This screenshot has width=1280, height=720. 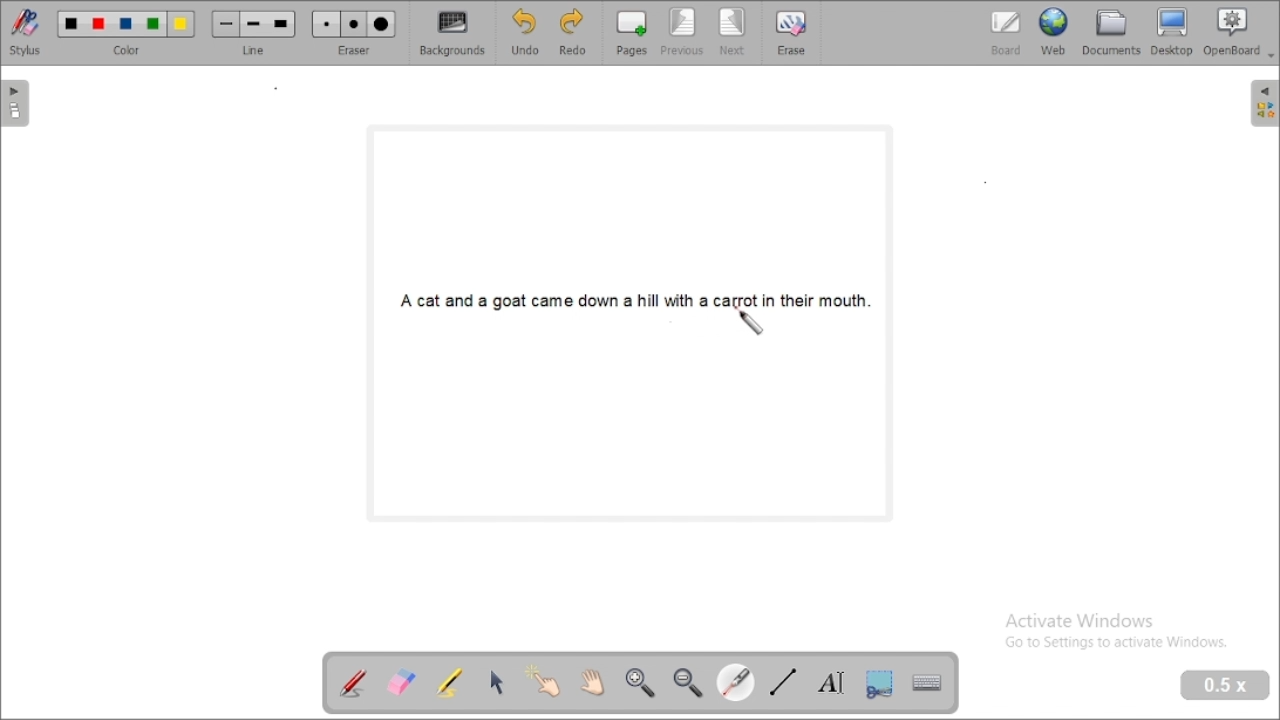 I want to click on stylus, so click(x=26, y=33).